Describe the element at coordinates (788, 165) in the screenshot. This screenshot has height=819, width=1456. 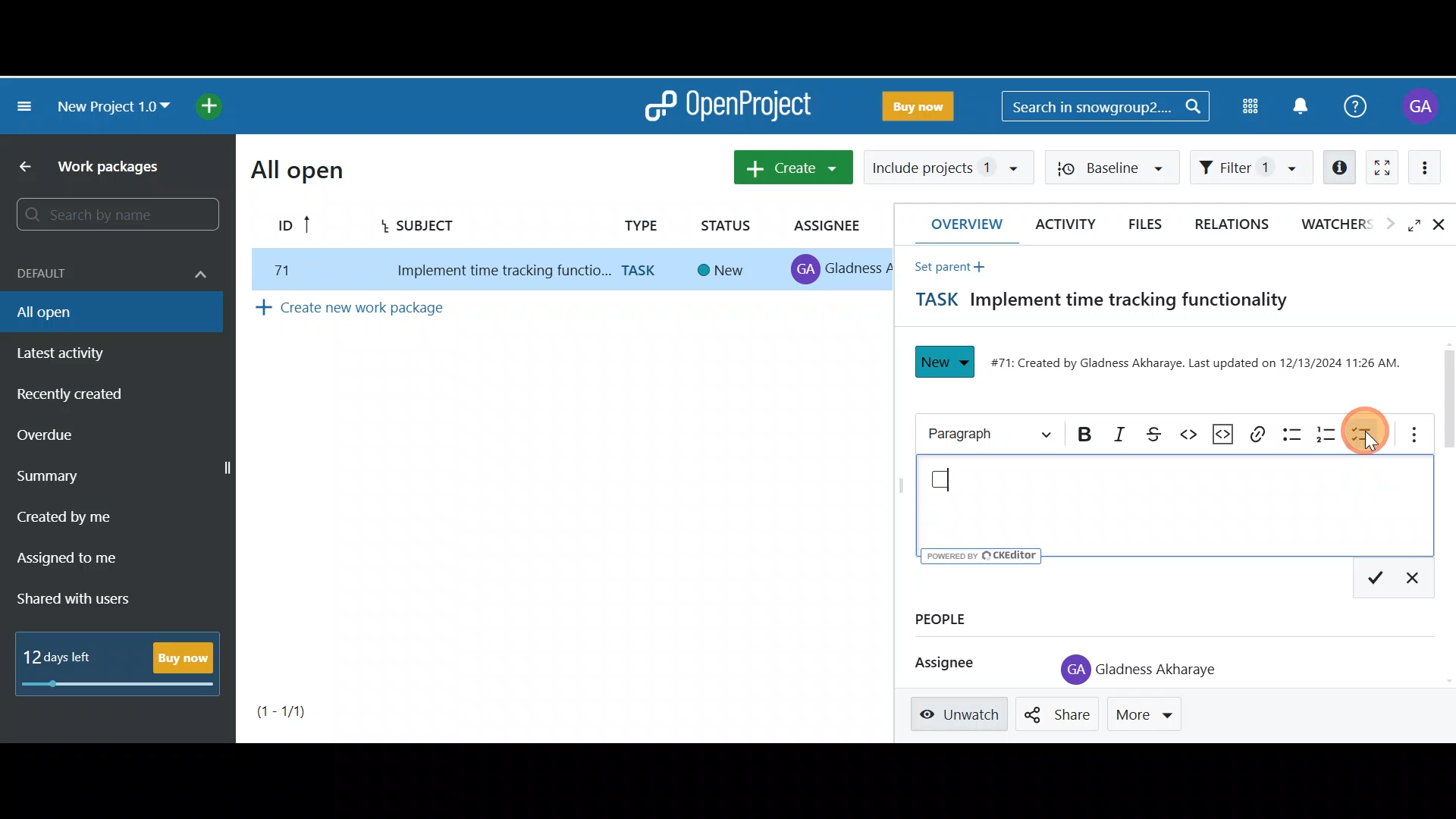
I see `Create` at that location.